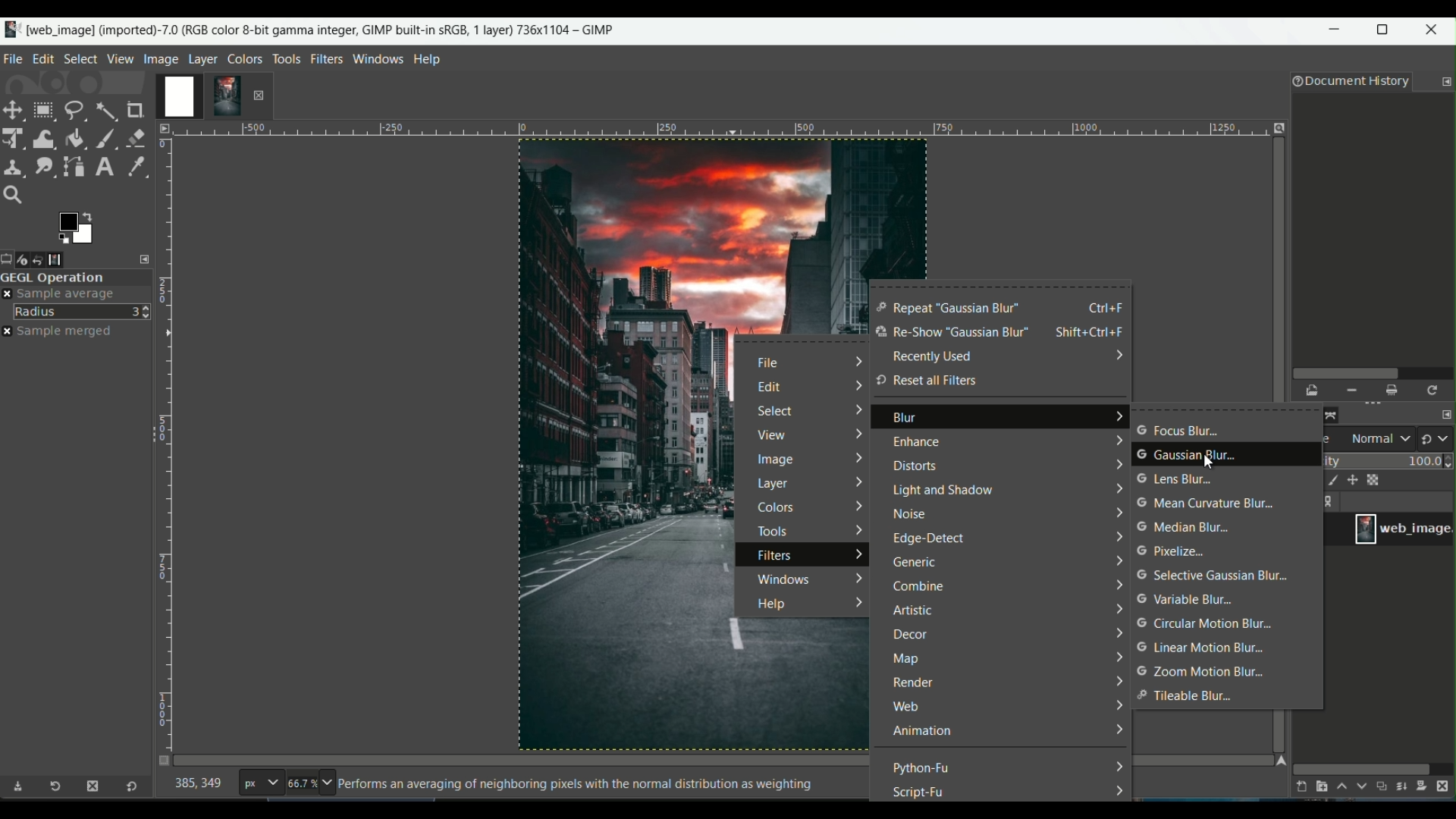 This screenshot has height=819, width=1456. What do you see at coordinates (915, 564) in the screenshot?
I see `generic` at bounding box center [915, 564].